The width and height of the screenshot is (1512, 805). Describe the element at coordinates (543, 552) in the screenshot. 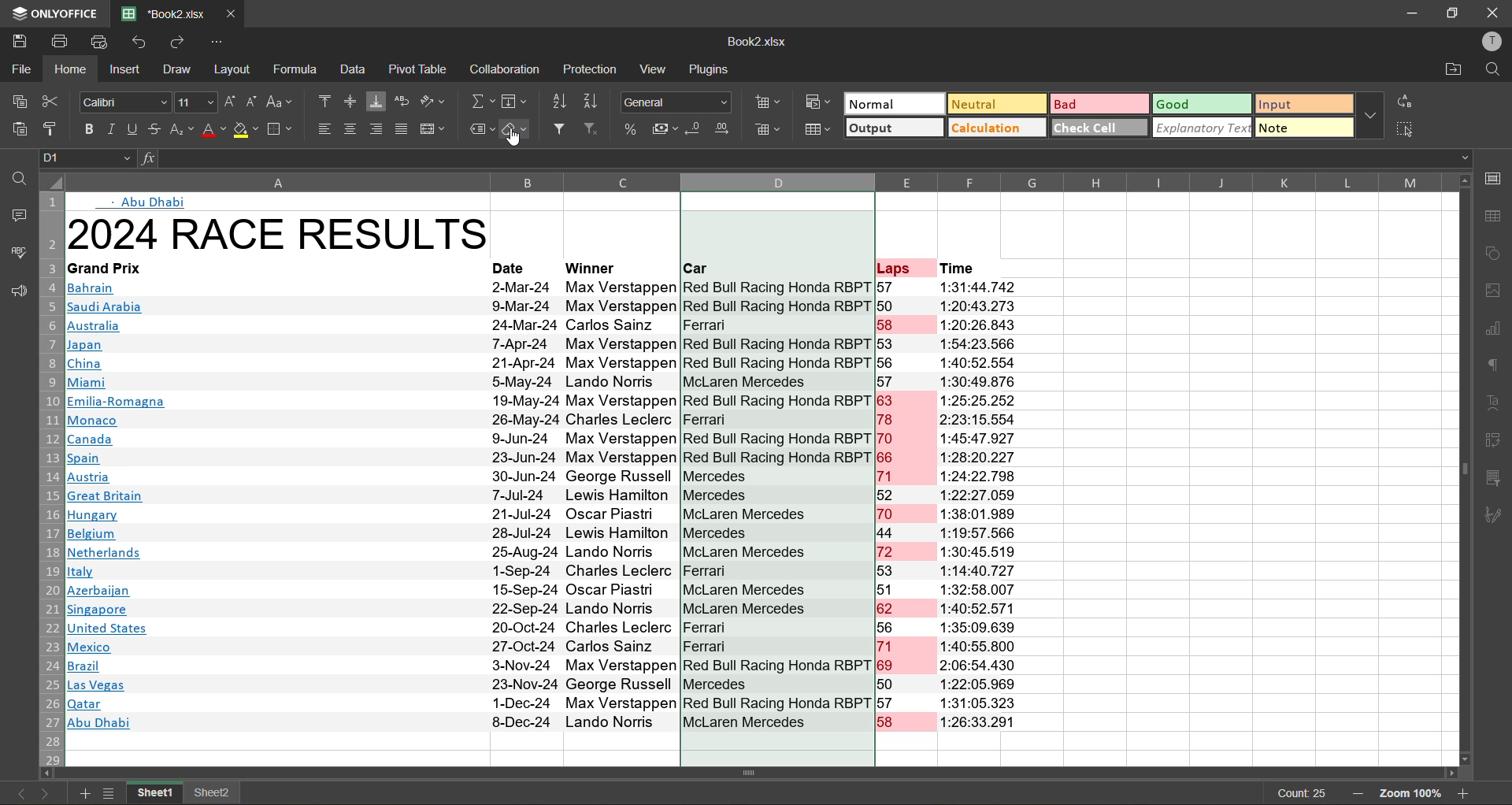

I see `Netherlands 25-Aug-24 Lando Norris McLaren Mercedes 72 1:30:45.519` at that location.